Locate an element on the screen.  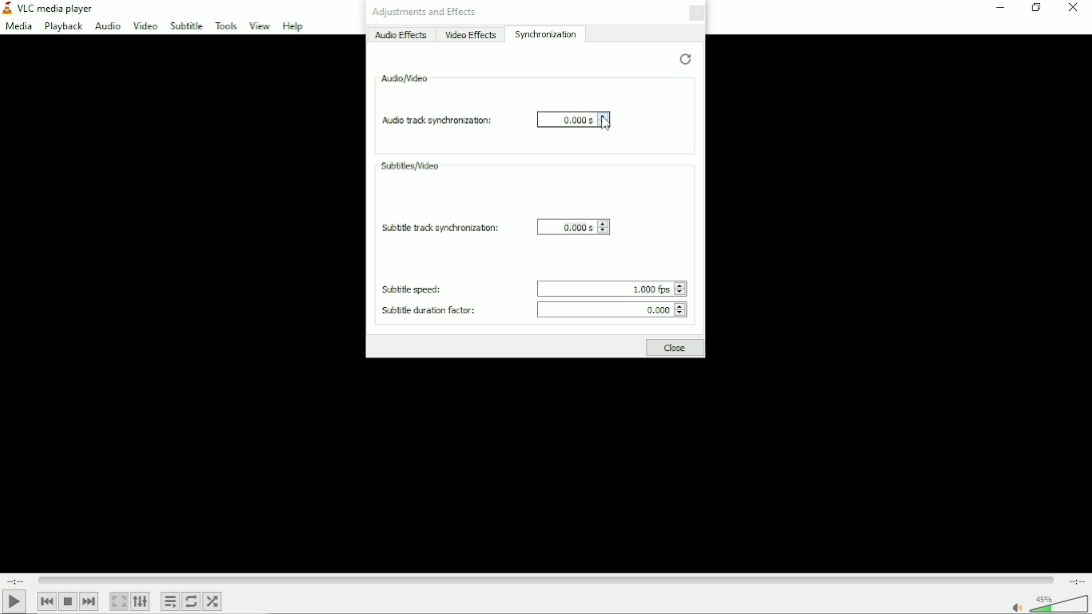
Restore is located at coordinates (685, 57).